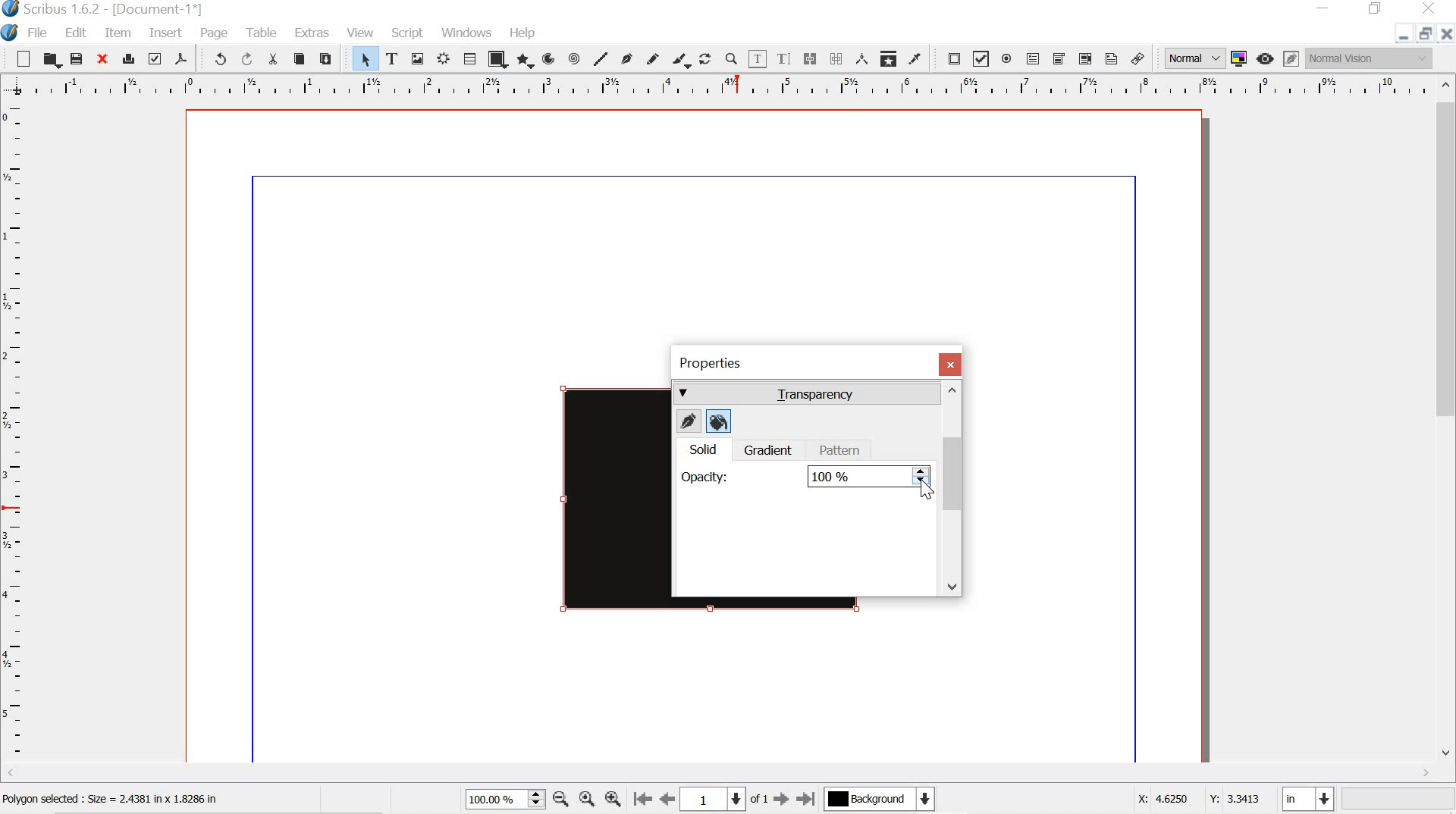  Describe the element at coordinates (719, 423) in the screenshot. I see `edit fill color properties` at that location.